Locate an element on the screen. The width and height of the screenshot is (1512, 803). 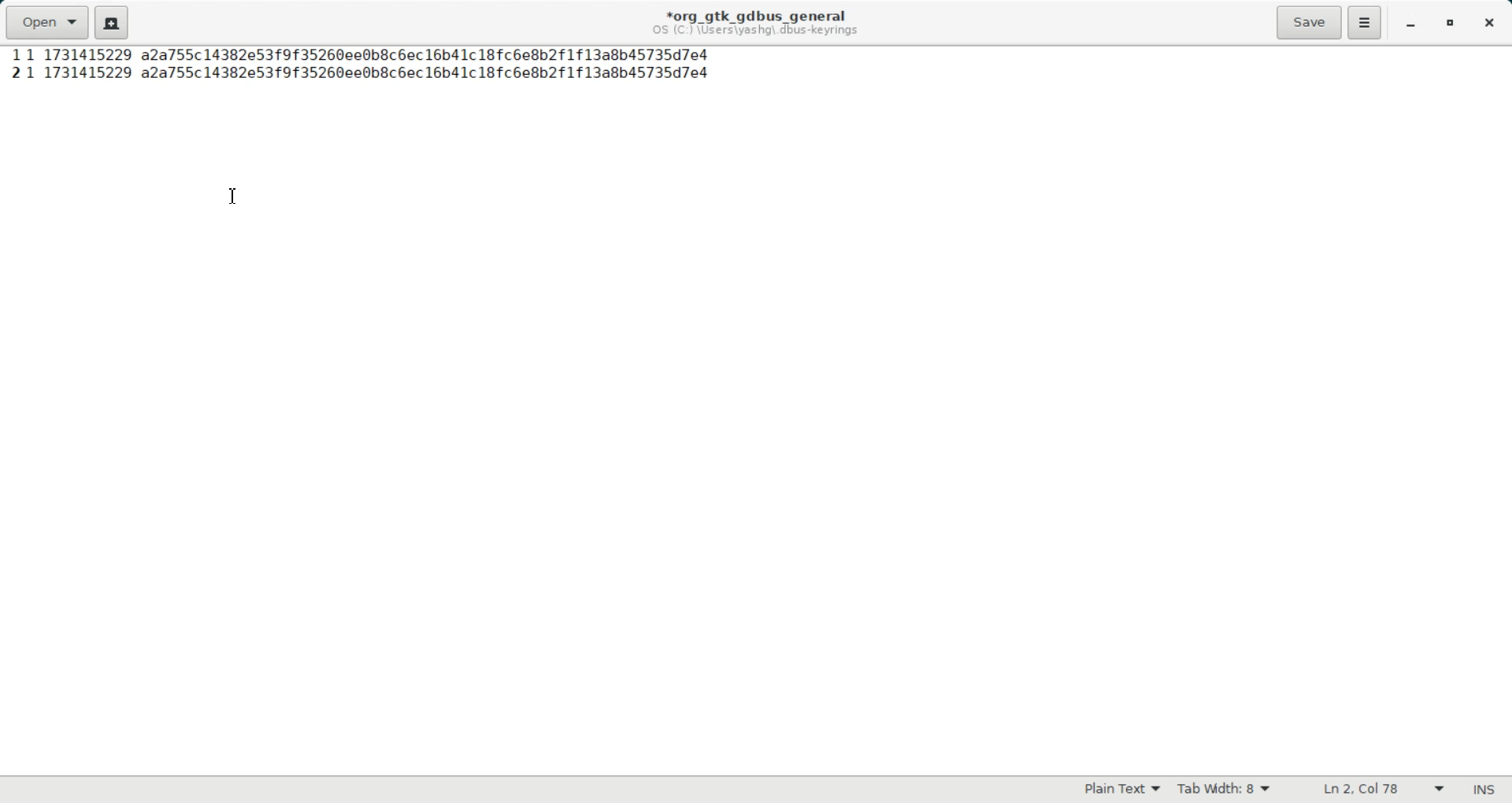
highlighted text is located at coordinates (368, 54).